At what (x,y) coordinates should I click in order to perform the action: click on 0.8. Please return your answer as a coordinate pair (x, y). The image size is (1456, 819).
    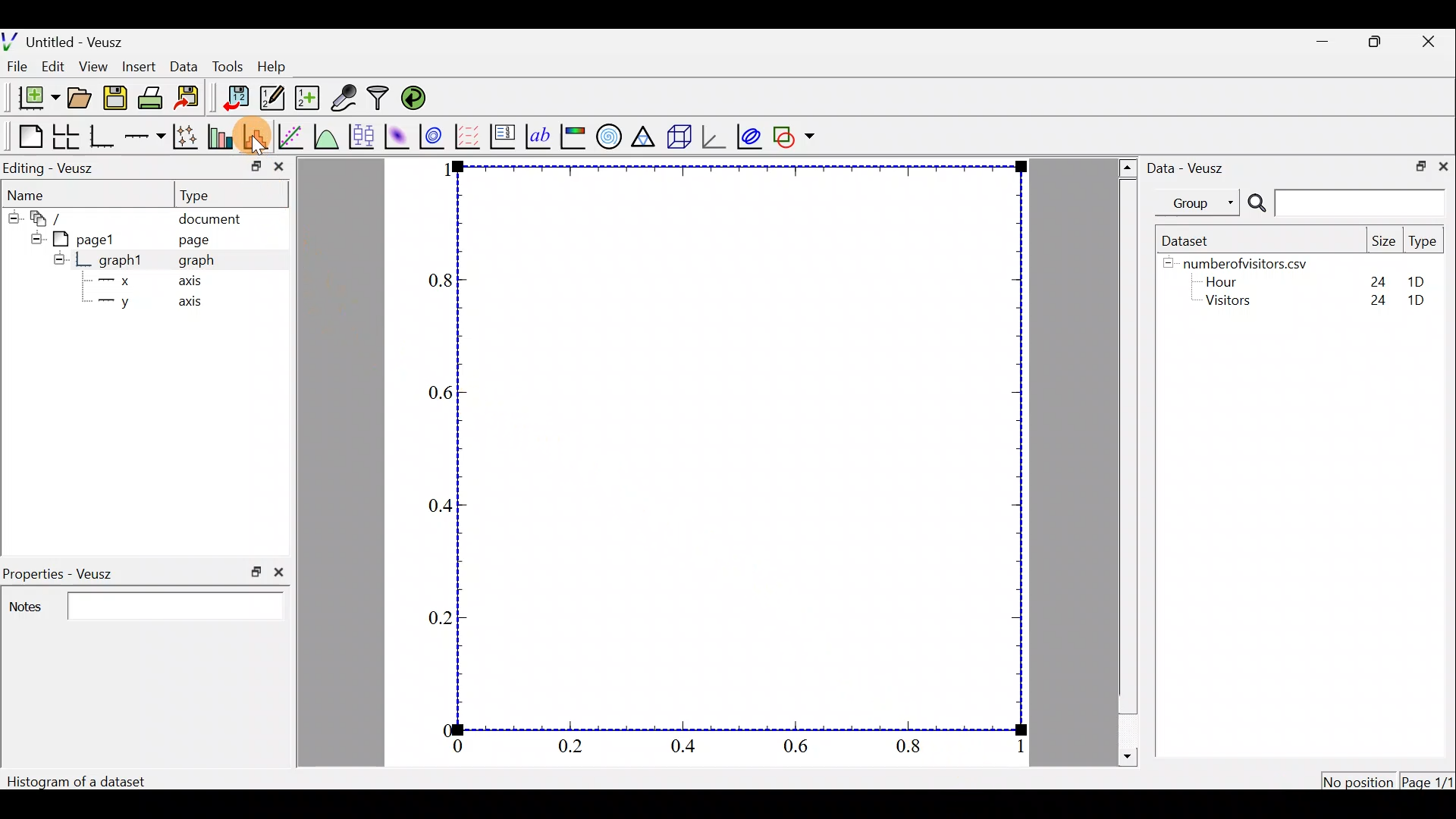
    Looking at the image, I should click on (904, 748).